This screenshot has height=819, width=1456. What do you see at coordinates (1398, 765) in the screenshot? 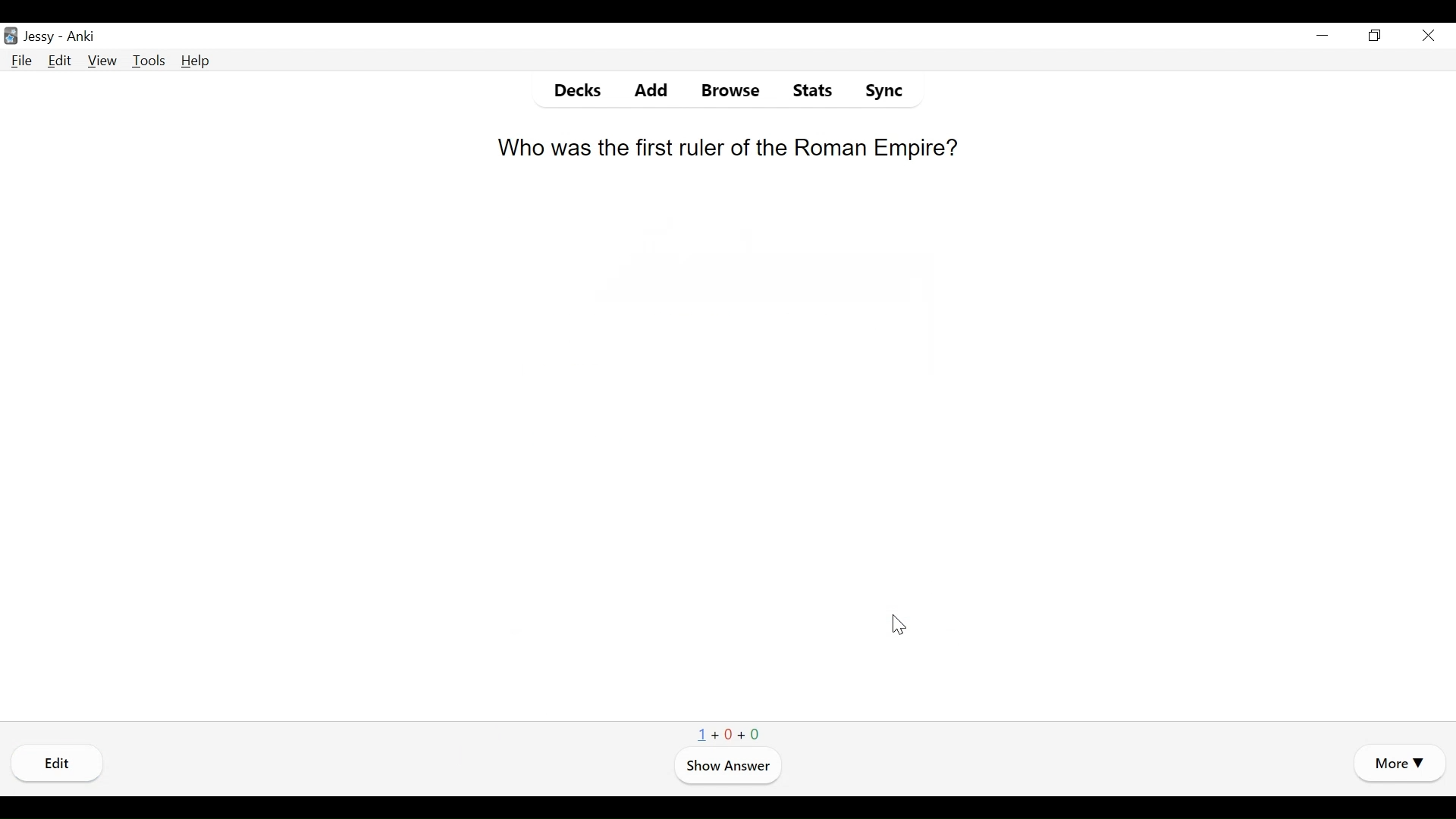
I see `More Options` at bounding box center [1398, 765].